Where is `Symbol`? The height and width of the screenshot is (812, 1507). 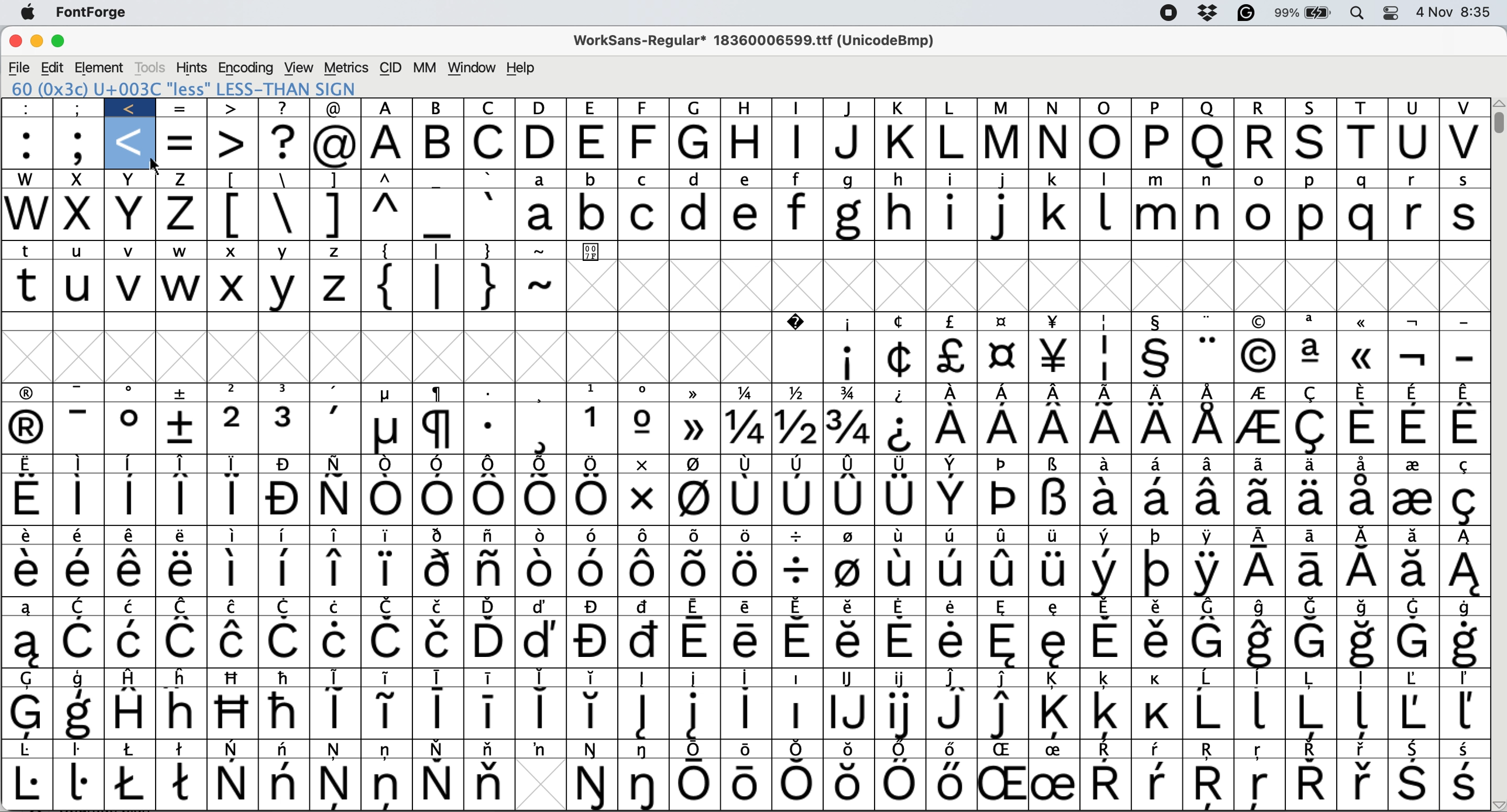 Symbol is located at coordinates (80, 713).